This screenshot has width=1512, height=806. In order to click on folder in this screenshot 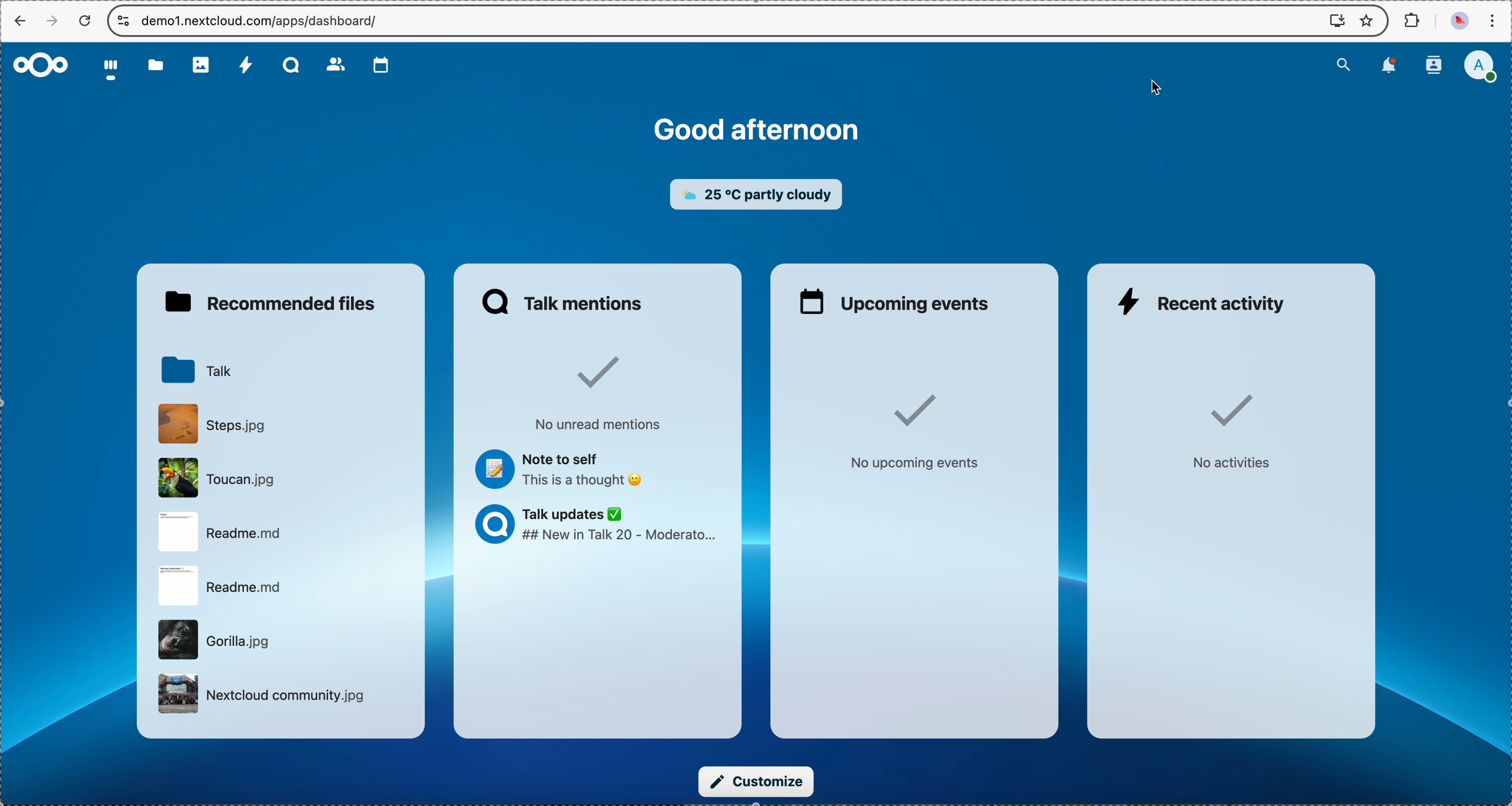, I will do `click(152, 66)`.